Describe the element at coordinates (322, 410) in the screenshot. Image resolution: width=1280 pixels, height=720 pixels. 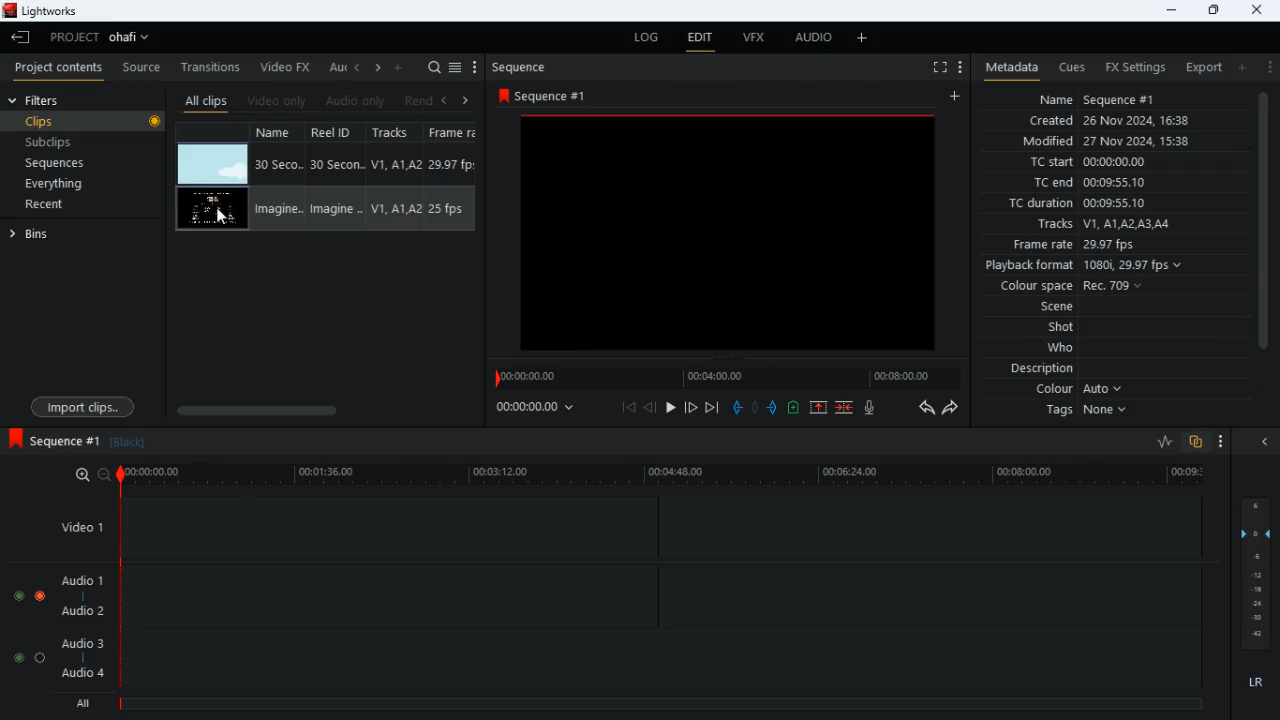
I see `scroll` at that location.